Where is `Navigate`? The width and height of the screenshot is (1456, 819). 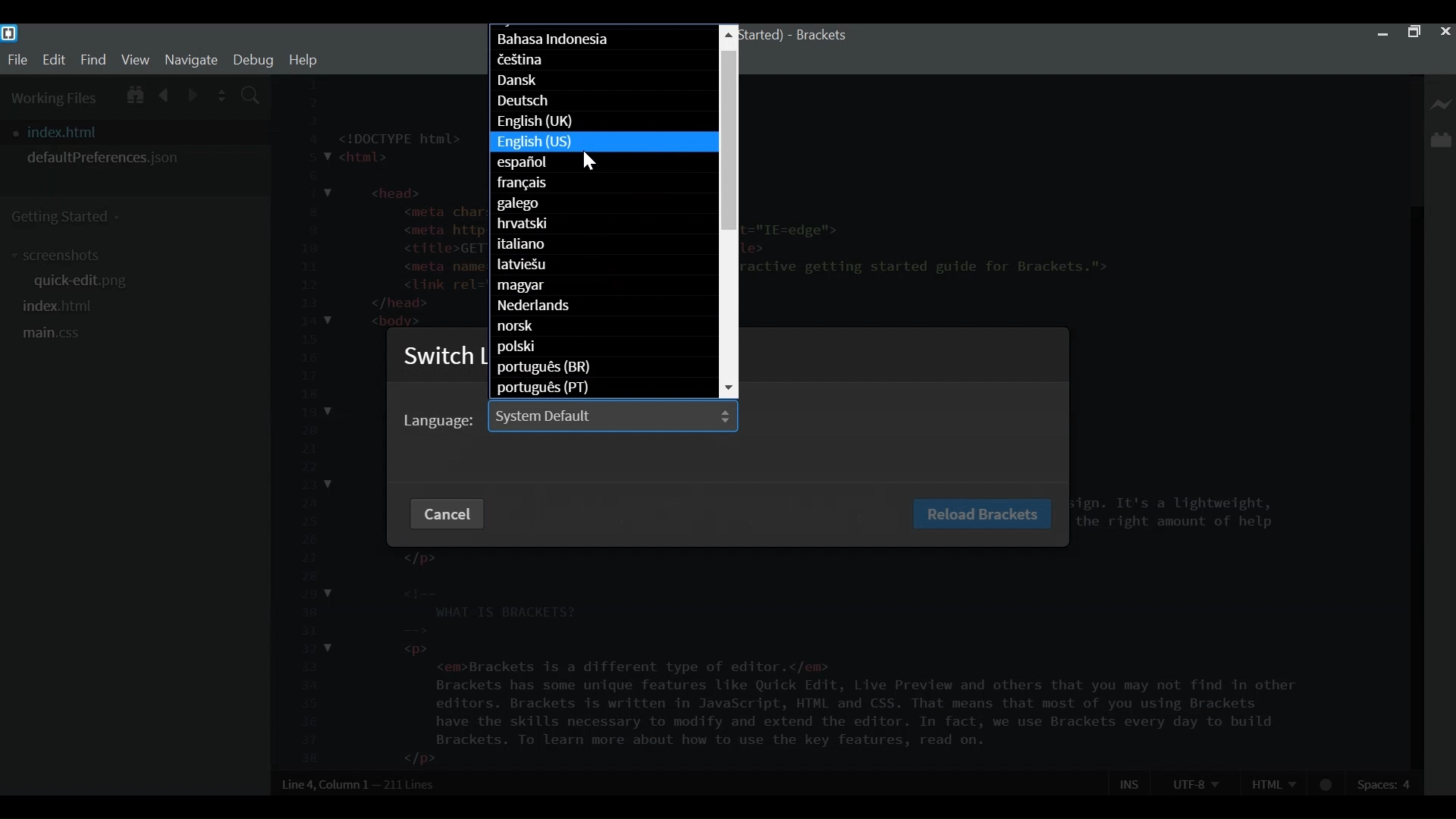 Navigate is located at coordinates (190, 59).